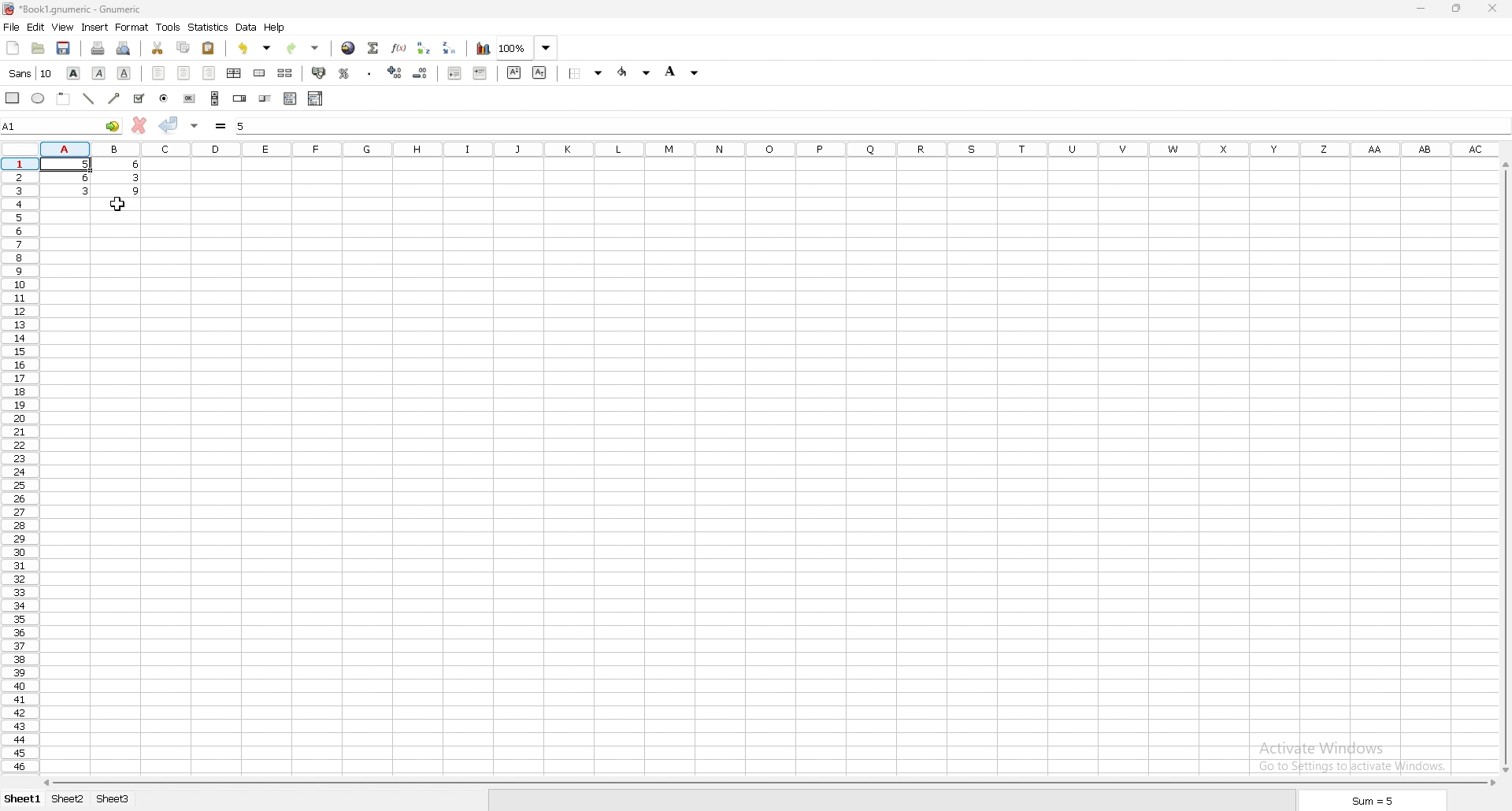 This screenshot has width=1512, height=811. Describe the element at coordinates (125, 72) in the screenshot. I see `underline` at that location.